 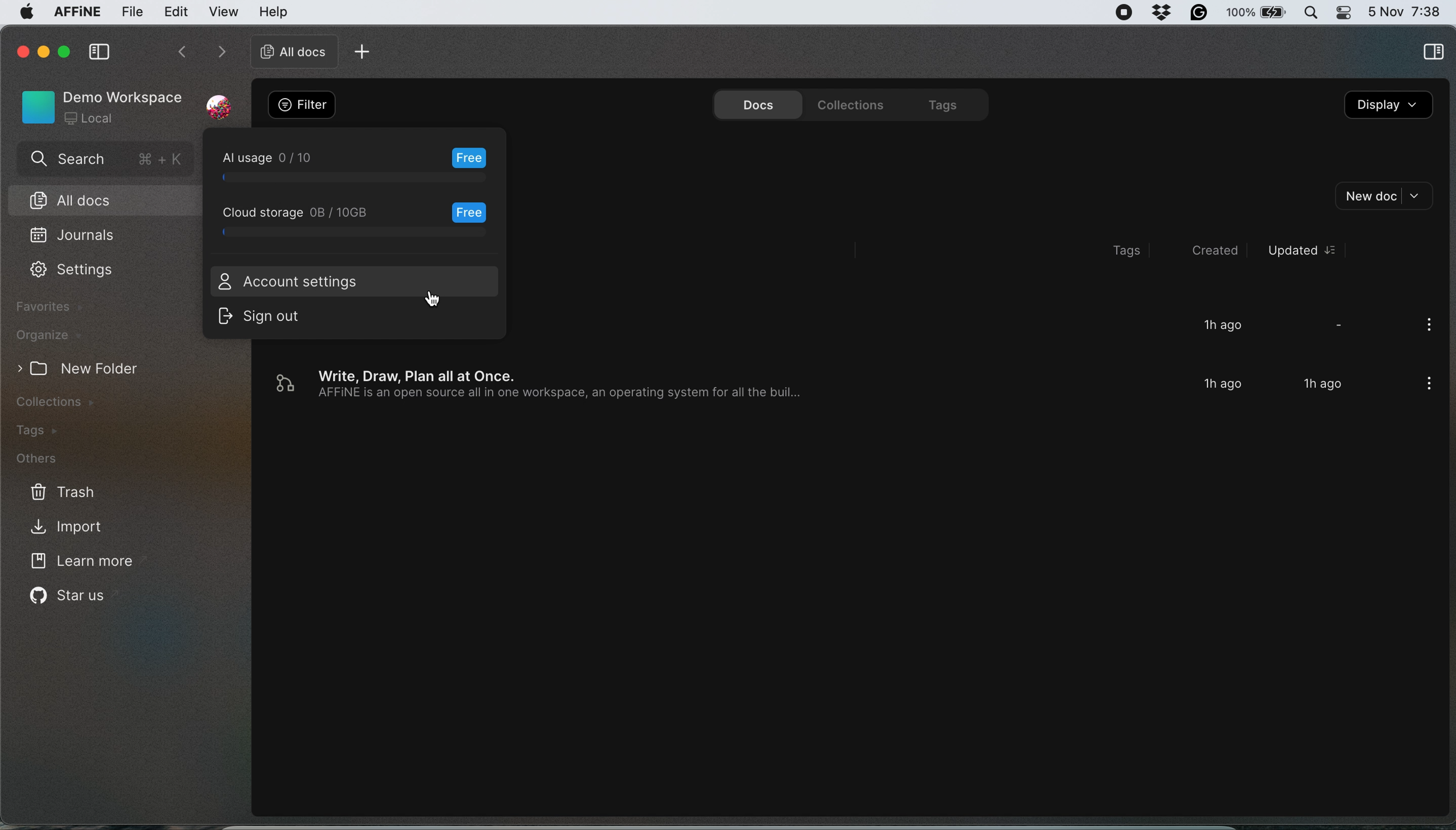 I want to click on journals, so click(x=75, y=236).